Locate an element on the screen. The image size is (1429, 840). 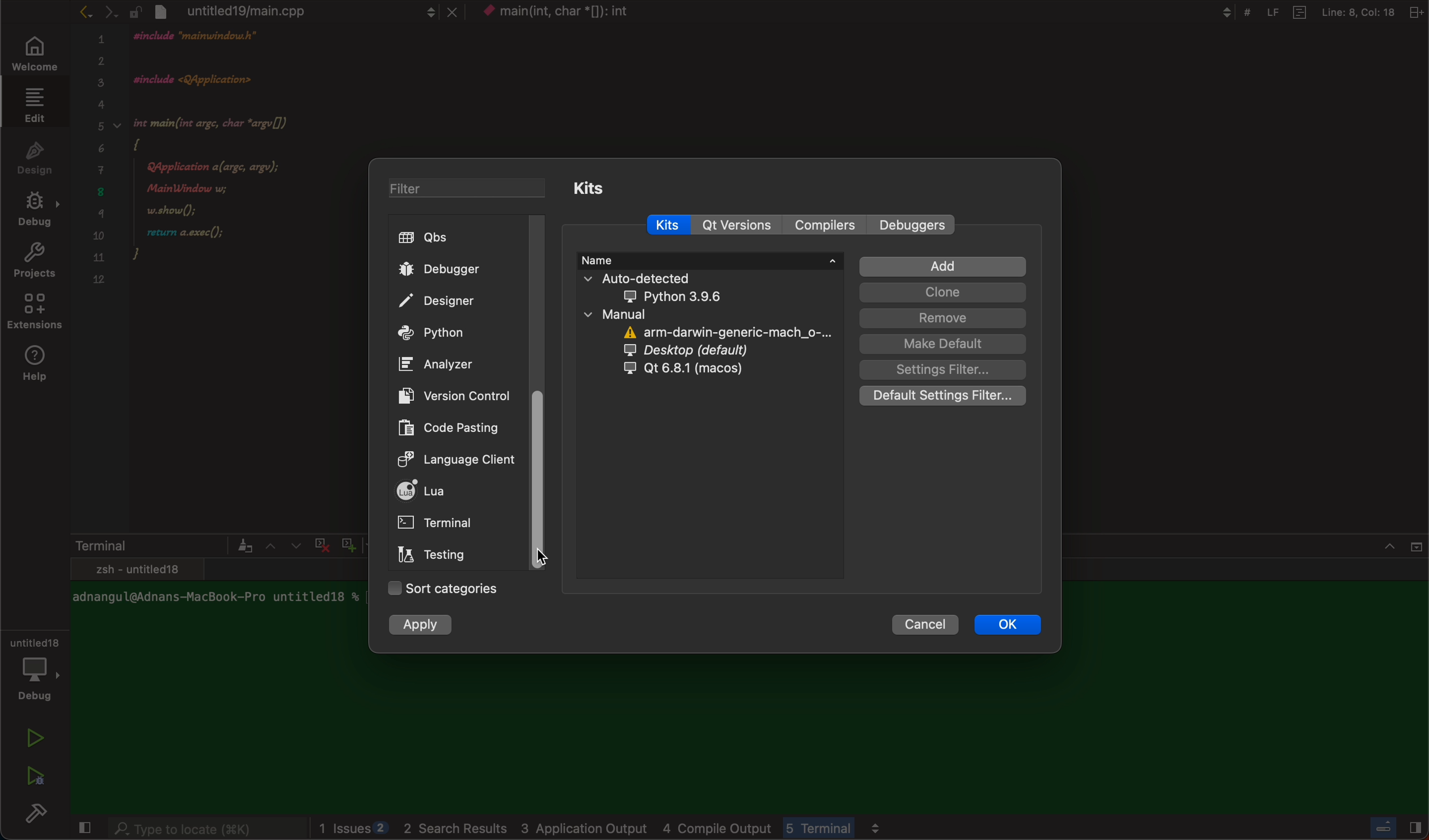
arrows is located at coordinates (97, 11).